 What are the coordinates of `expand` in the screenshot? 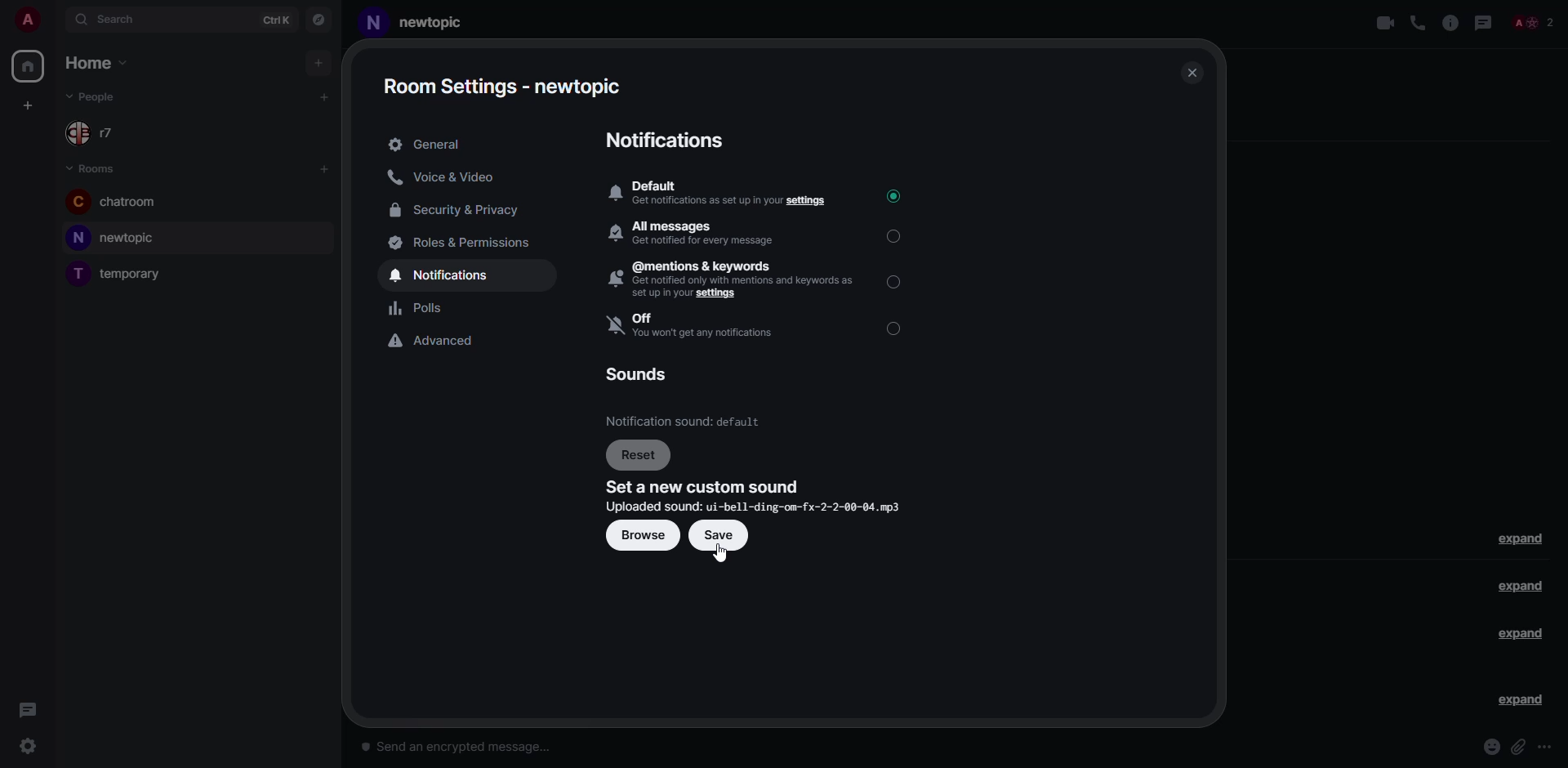 It's located at (1521, 634).